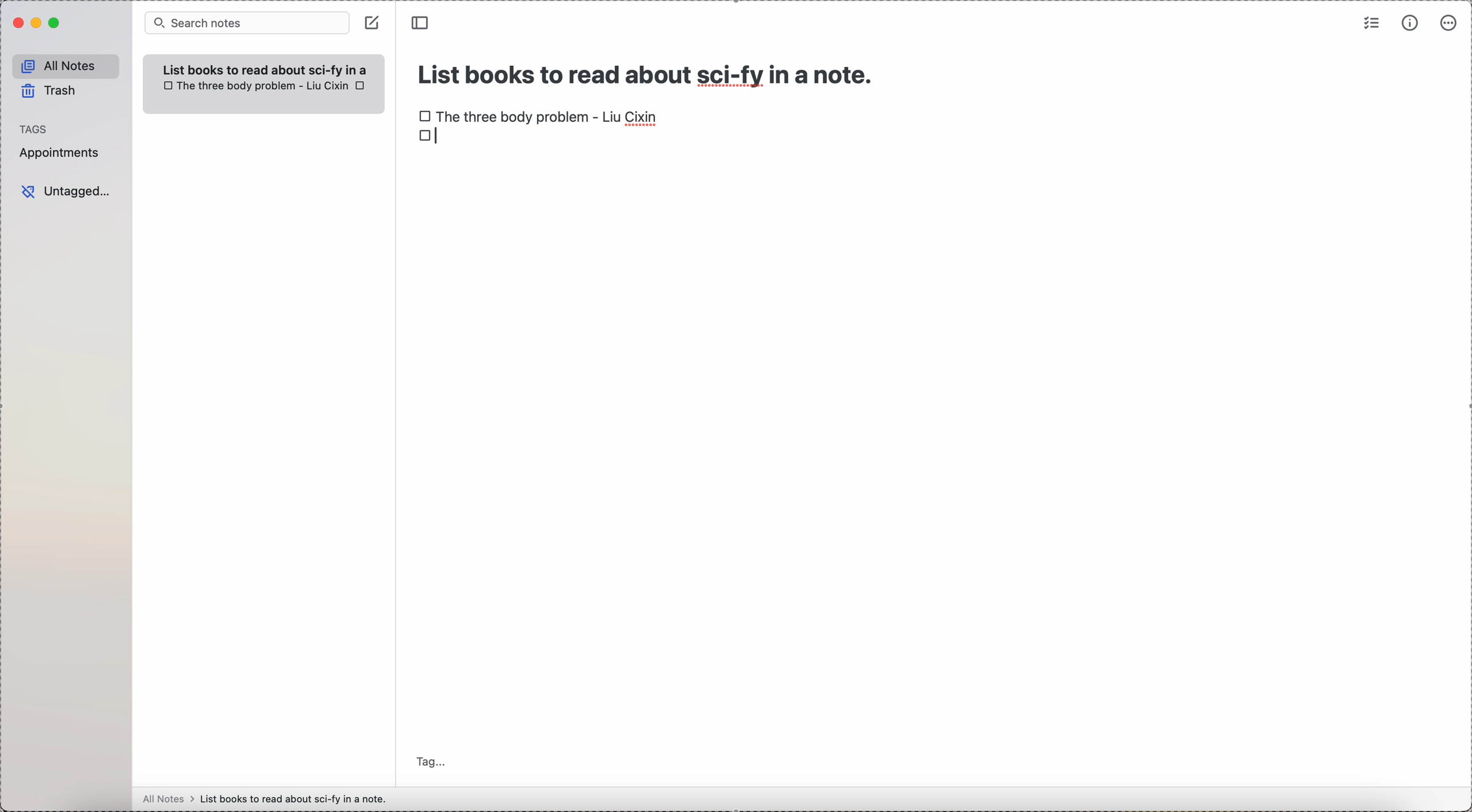  Describe the element at coordinates (270, 67) in the screenshot. I see `List books to read about sci-fy in a note.` at that location.